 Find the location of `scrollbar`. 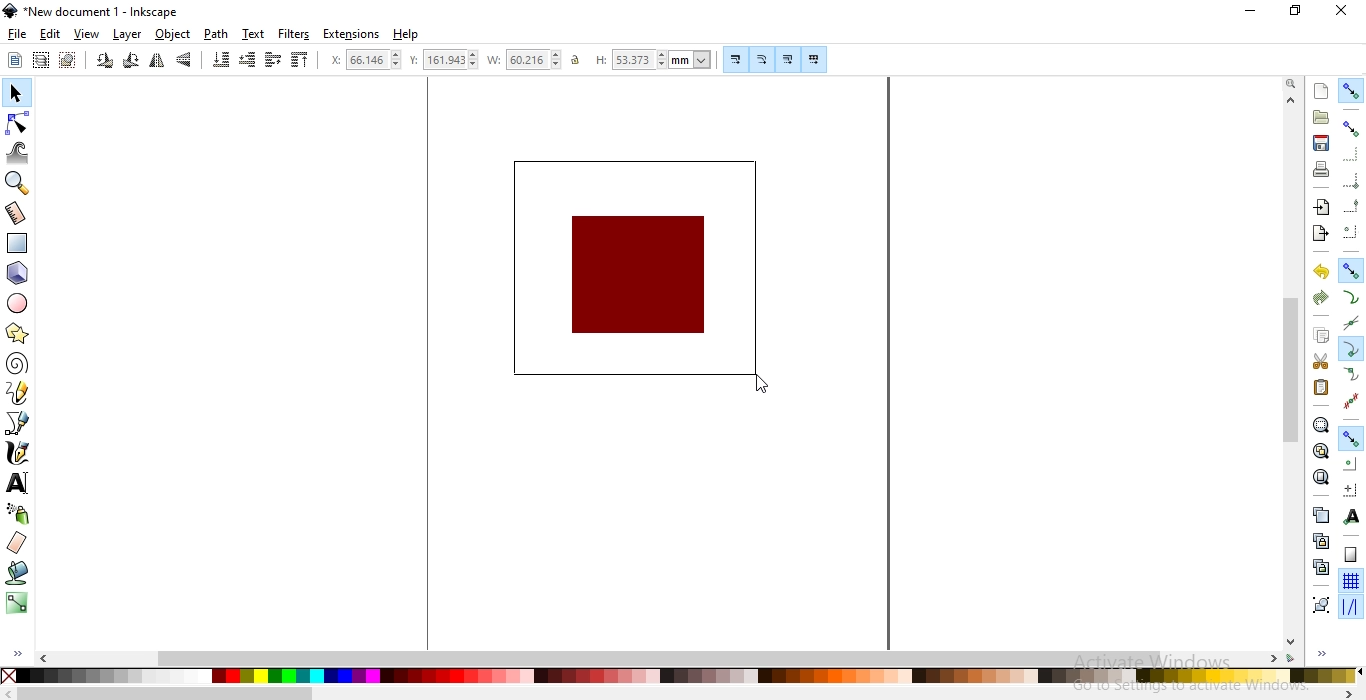

scrollbar is located at coordinates (658, 658).